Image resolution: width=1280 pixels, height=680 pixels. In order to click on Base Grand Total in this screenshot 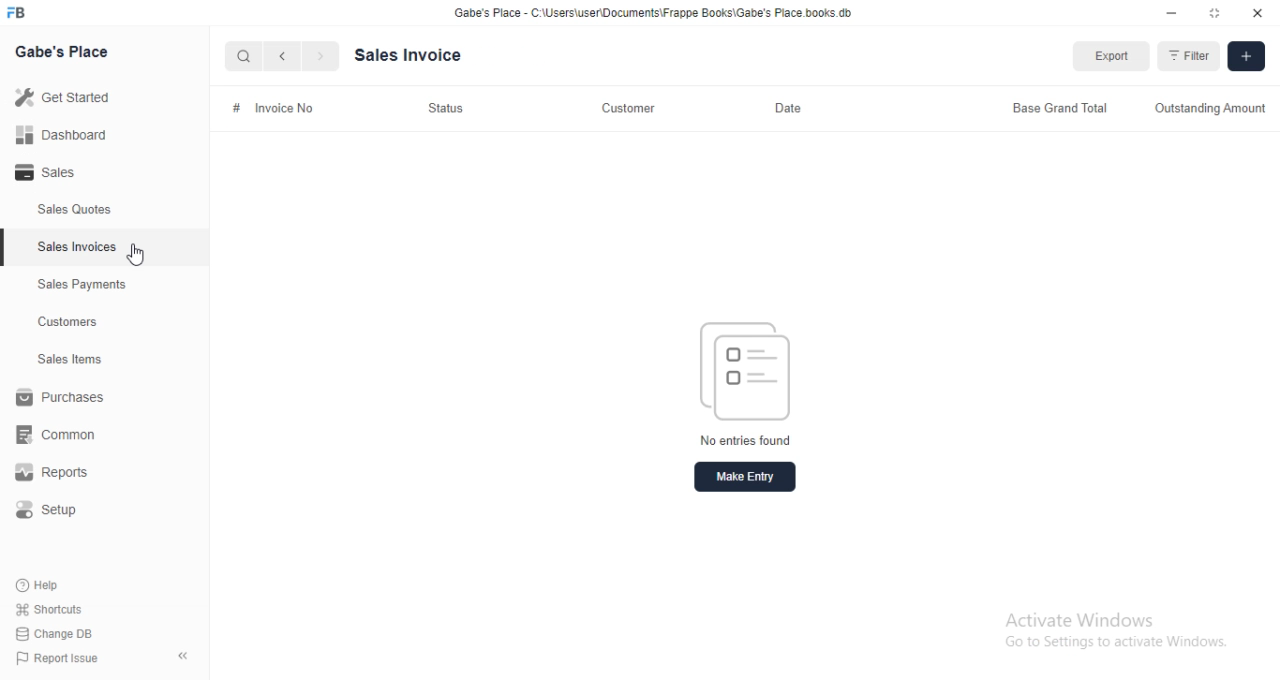, I will do `click(1061, 109)`.